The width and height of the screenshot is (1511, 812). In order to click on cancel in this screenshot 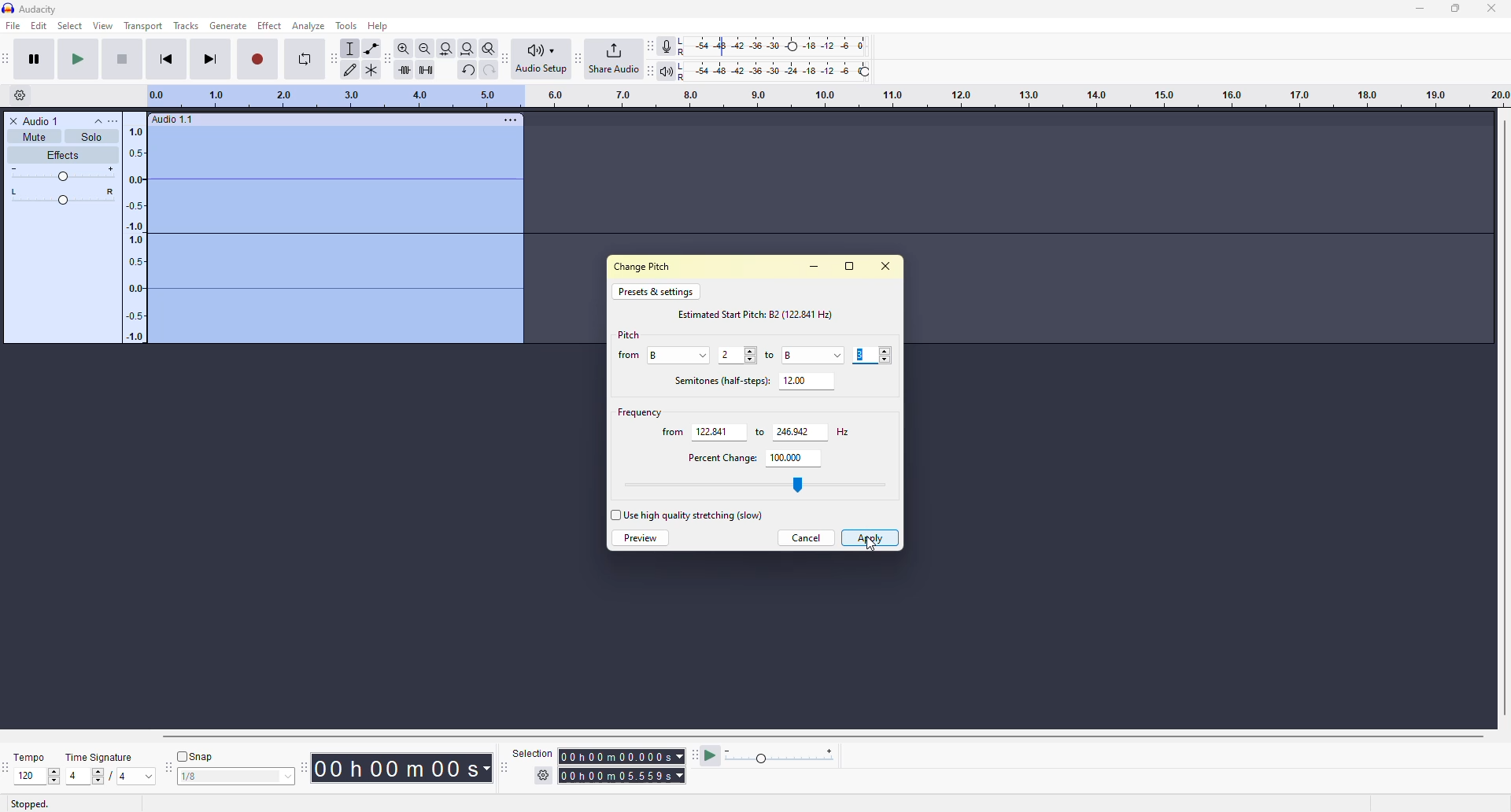, I will do `click(805, 537)`.